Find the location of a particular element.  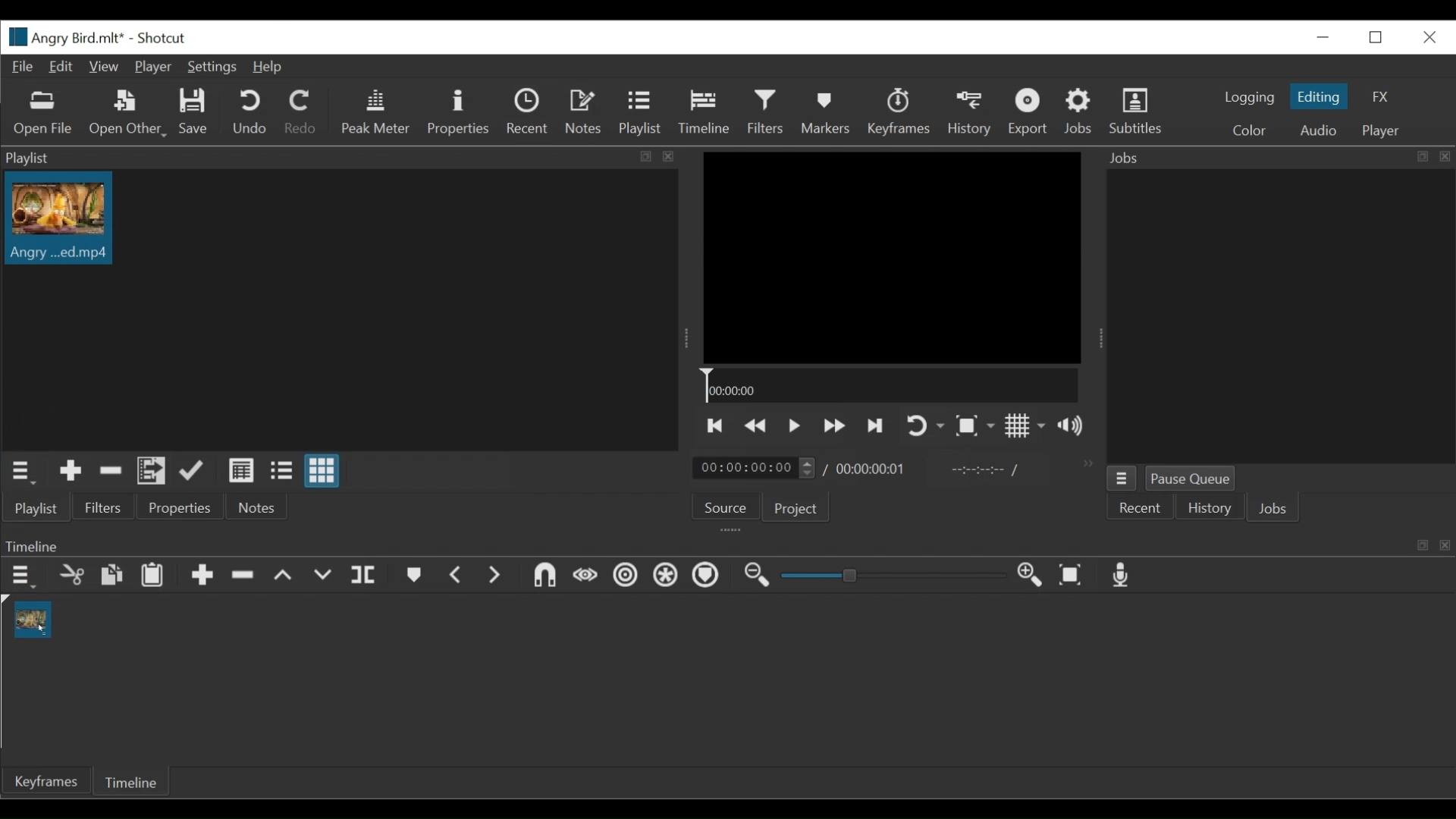

Open Other is located at coordinates (127, 112).